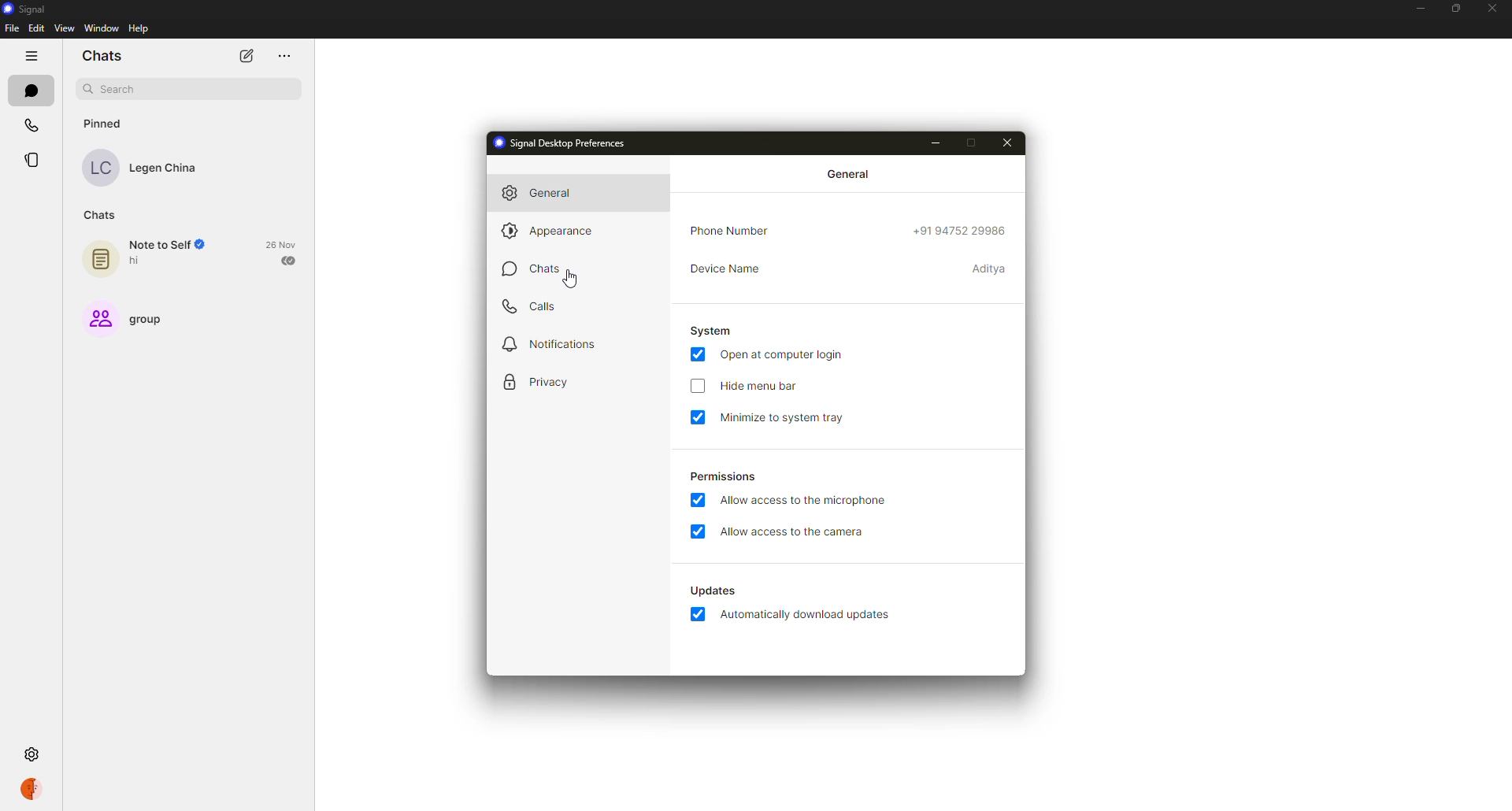 This screenshot has width=1512, height=811. Describe the element at coordinates (545, 383) in the screenshot. I see `privacy` at that location.